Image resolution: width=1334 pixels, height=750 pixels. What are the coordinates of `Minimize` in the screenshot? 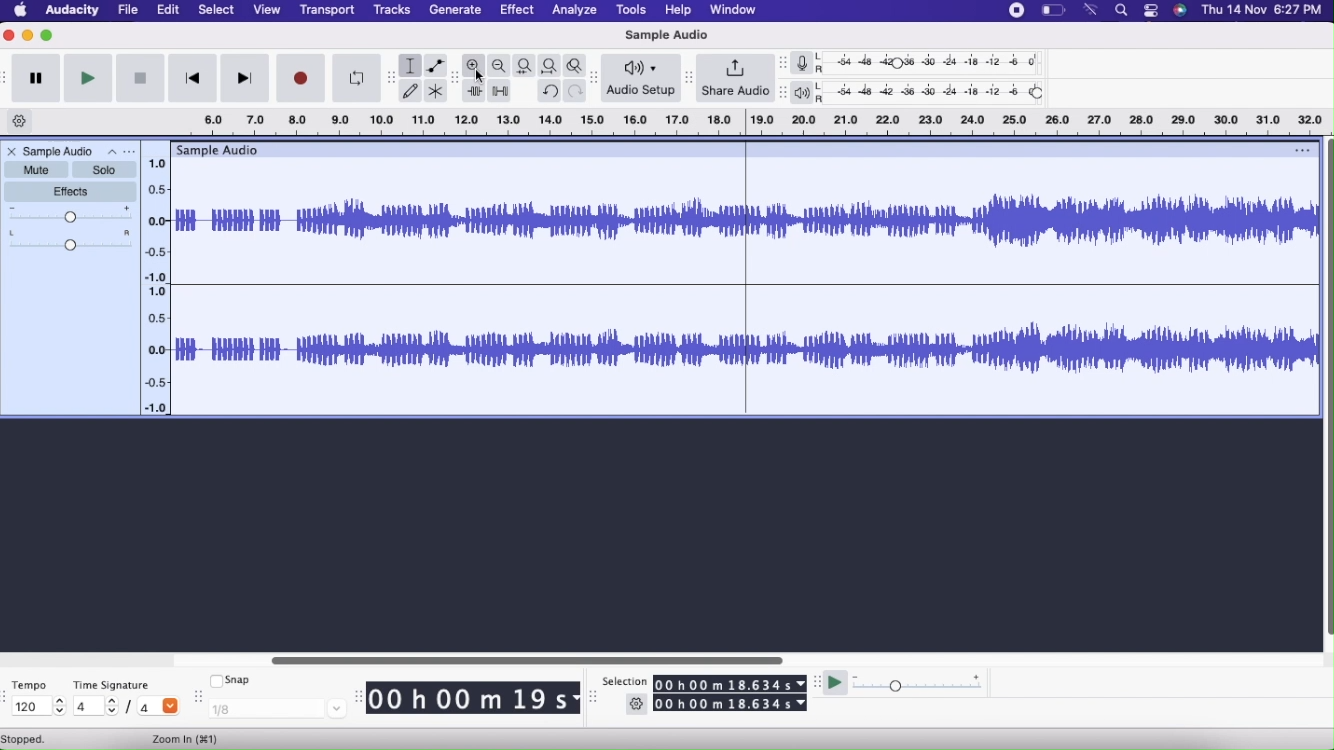 It's located at (29, 37).